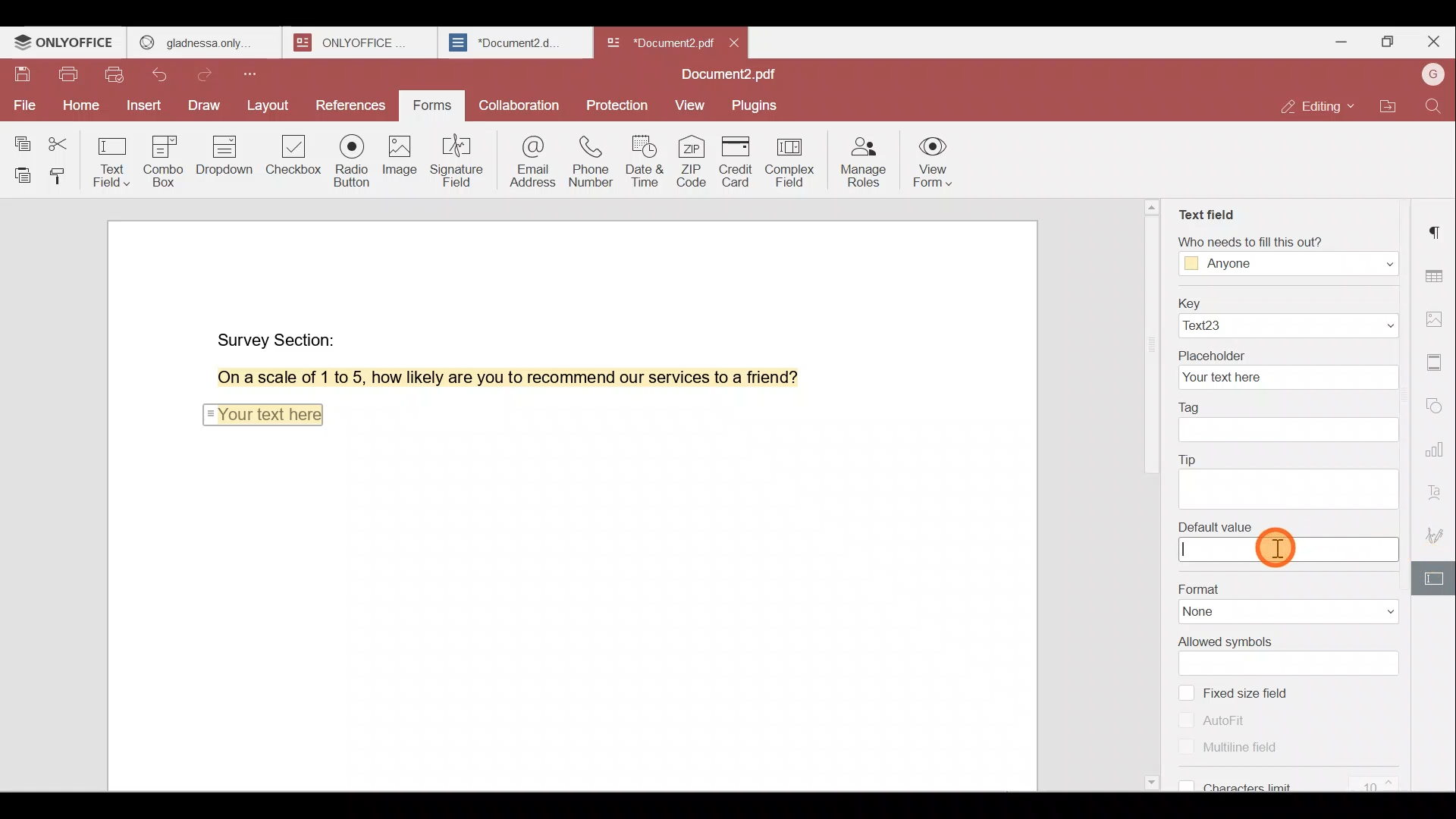 This screenshot has height=819, width=1456. What do you see at coordinates (262, 413) in the screenshot?
I see `Your text here` at bounding box center [262, 413].